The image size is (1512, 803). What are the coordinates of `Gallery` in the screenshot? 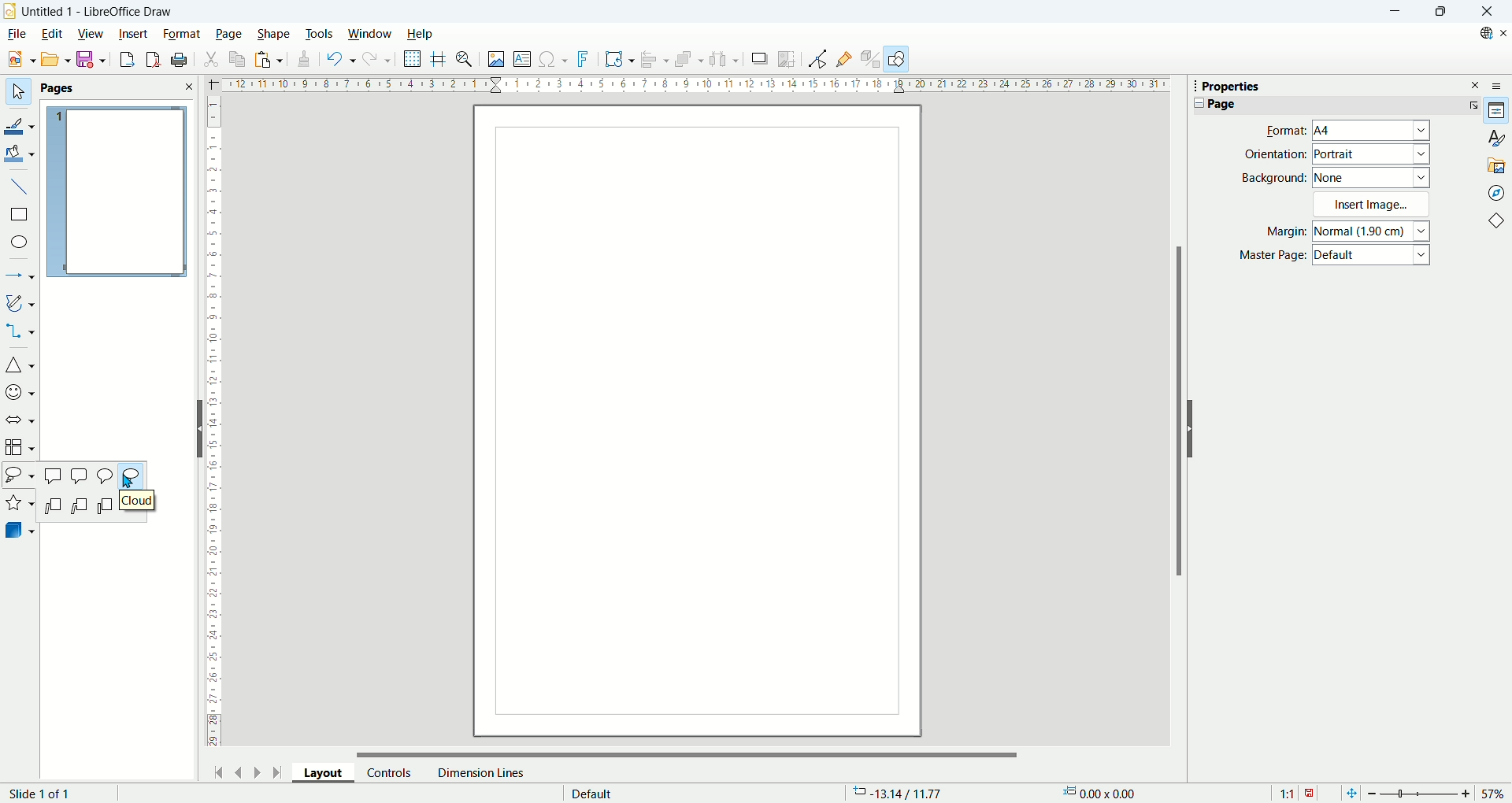 It's located at (1497, 165).